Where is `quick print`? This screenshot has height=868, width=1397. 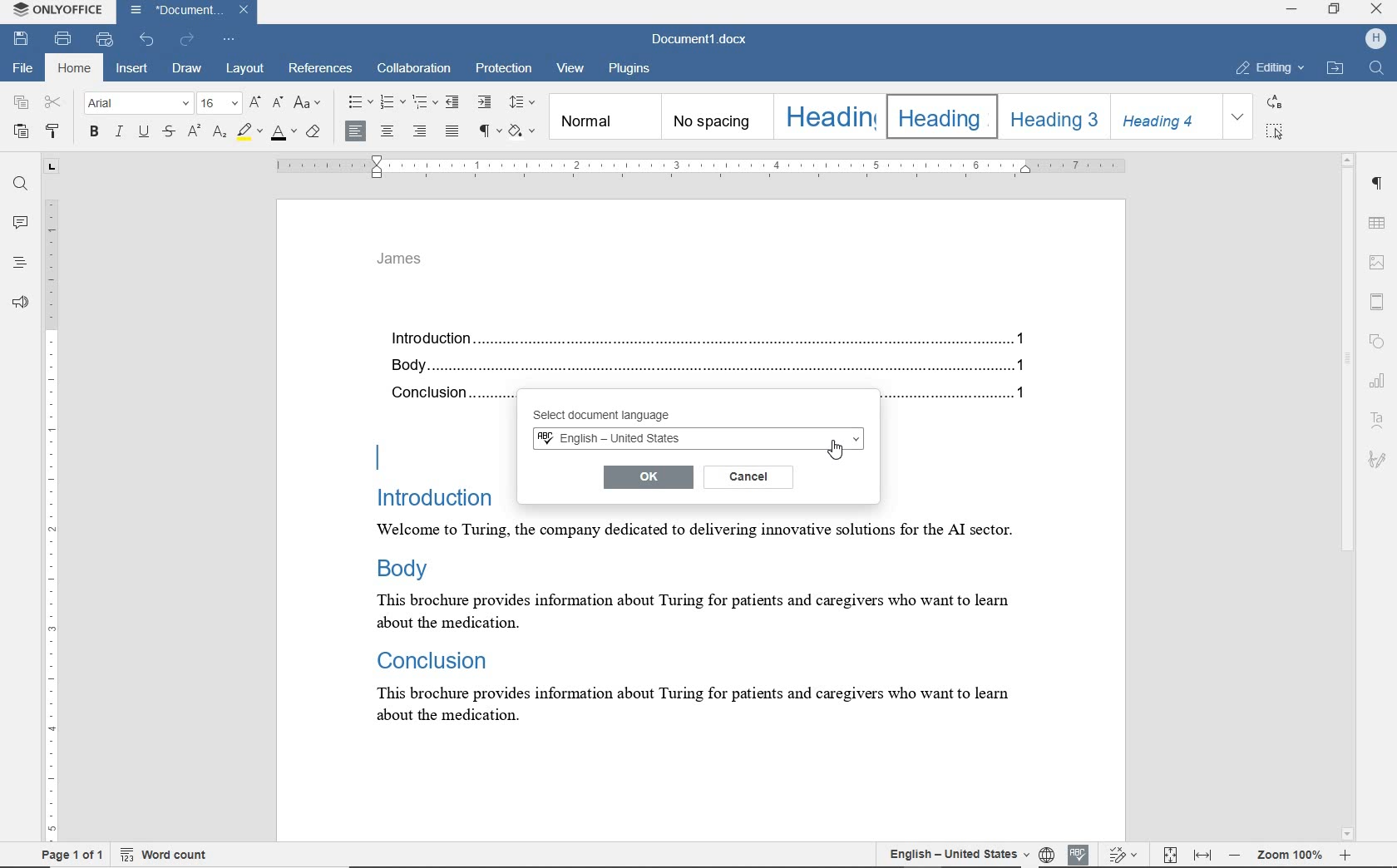
quick print is located at coordinates (105, 40).